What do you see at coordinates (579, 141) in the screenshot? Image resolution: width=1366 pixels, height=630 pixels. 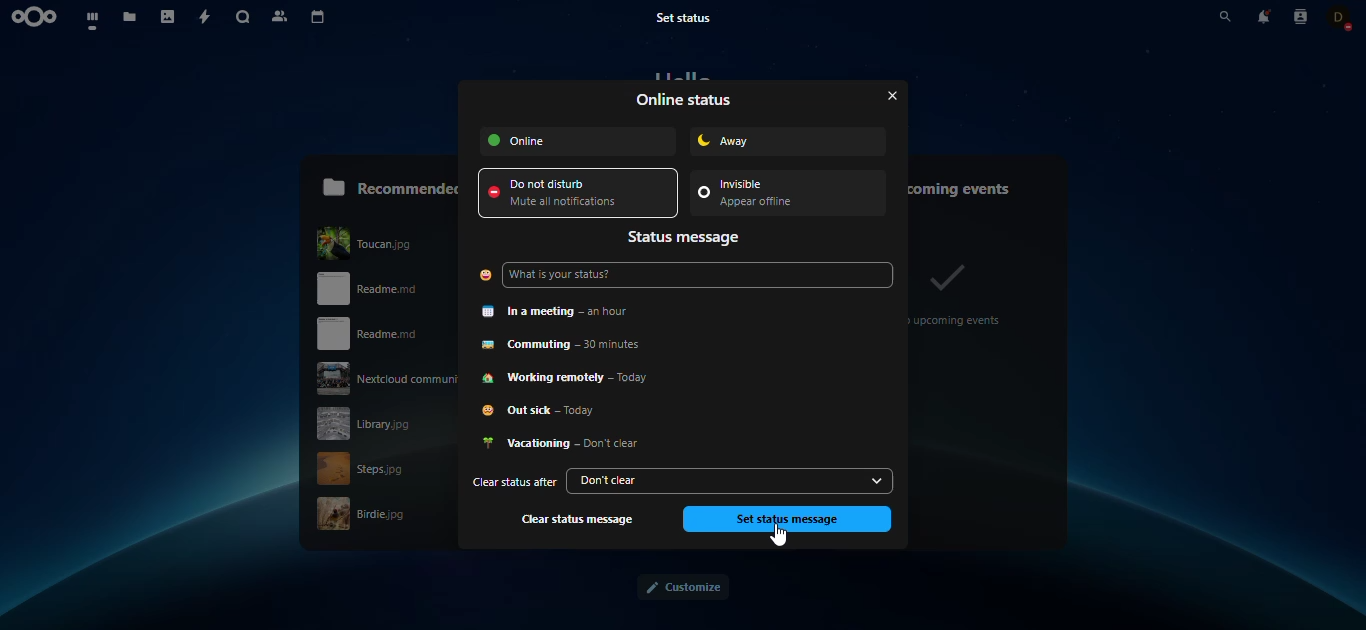 I see `online` at bounding box center [579, 141].